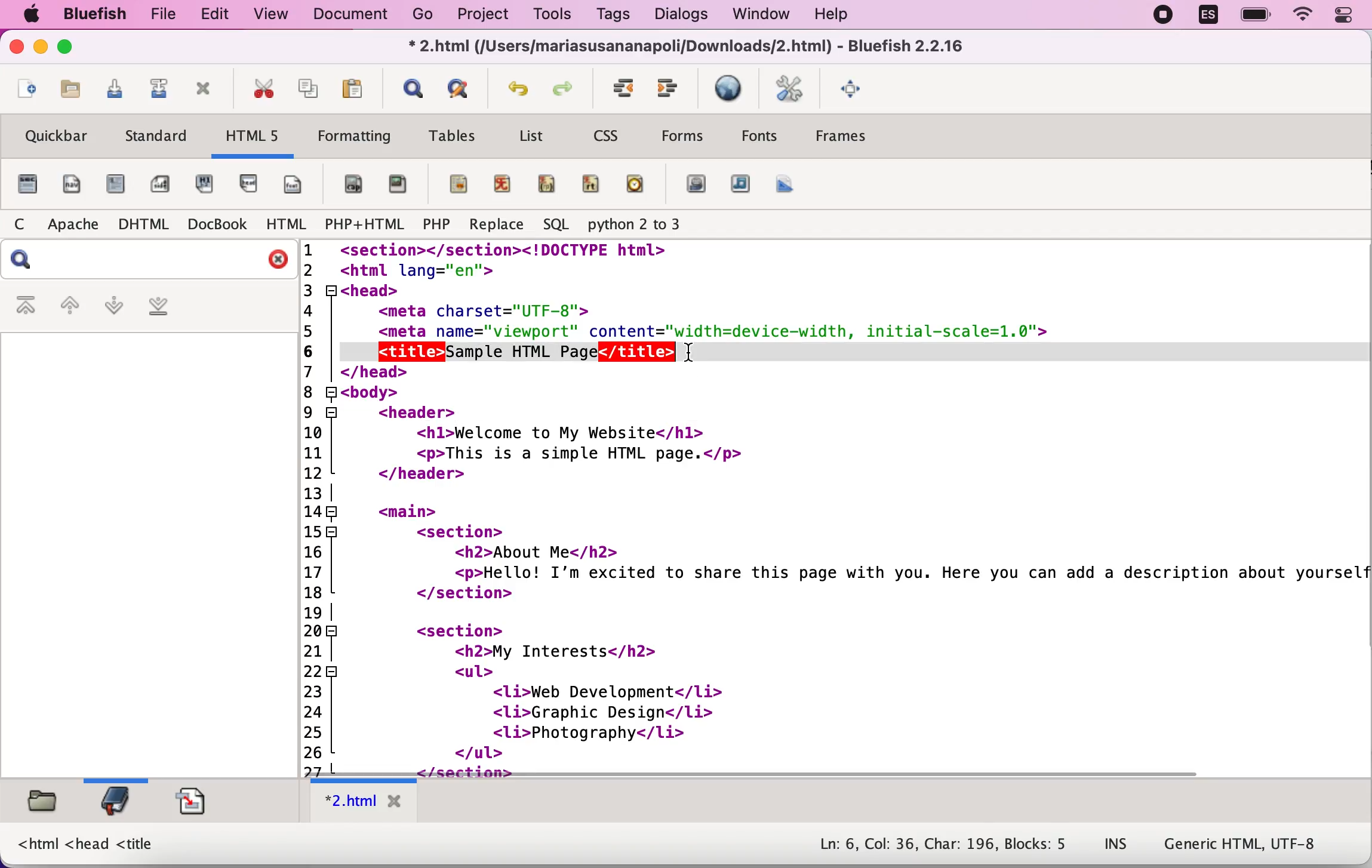  I want to click on redo, so click(570, 89).